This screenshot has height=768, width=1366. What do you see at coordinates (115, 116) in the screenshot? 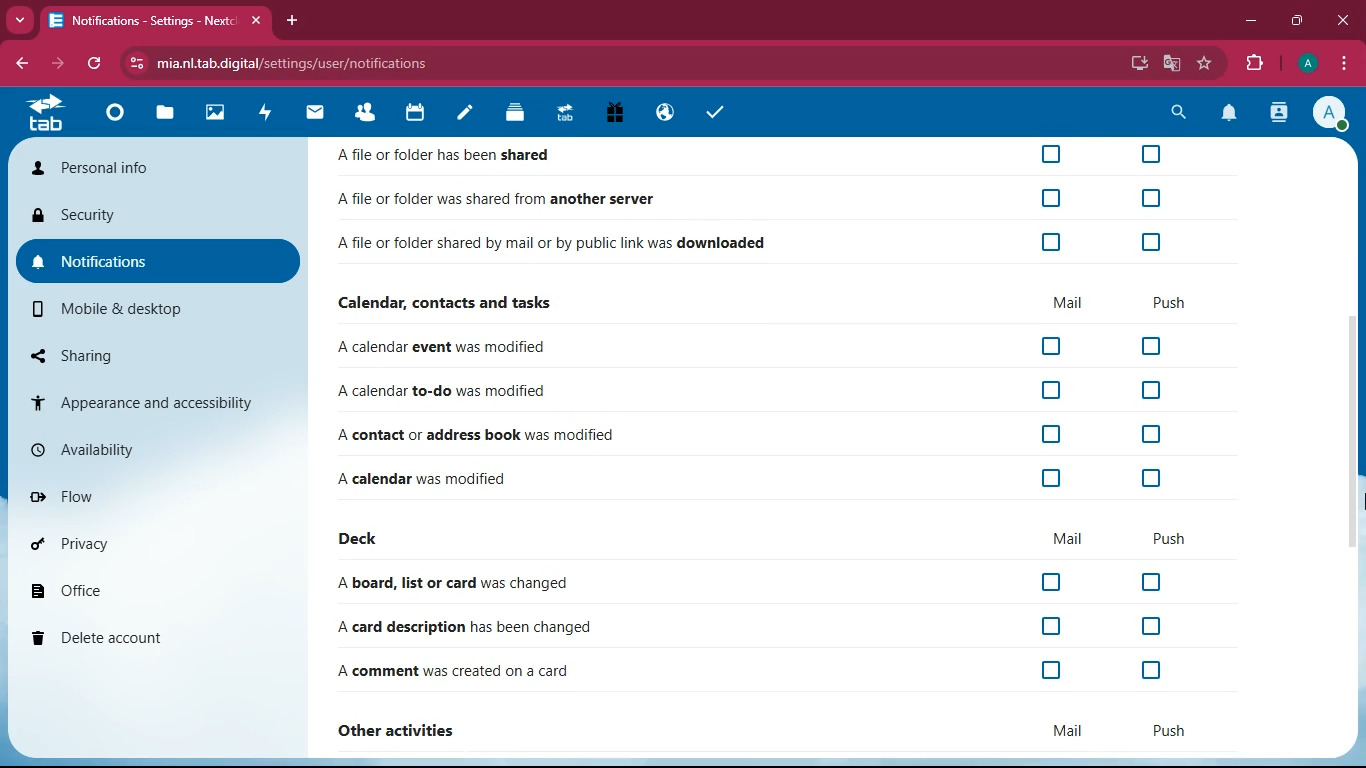
I see `Dashboard` at bounding box center [115, 116].